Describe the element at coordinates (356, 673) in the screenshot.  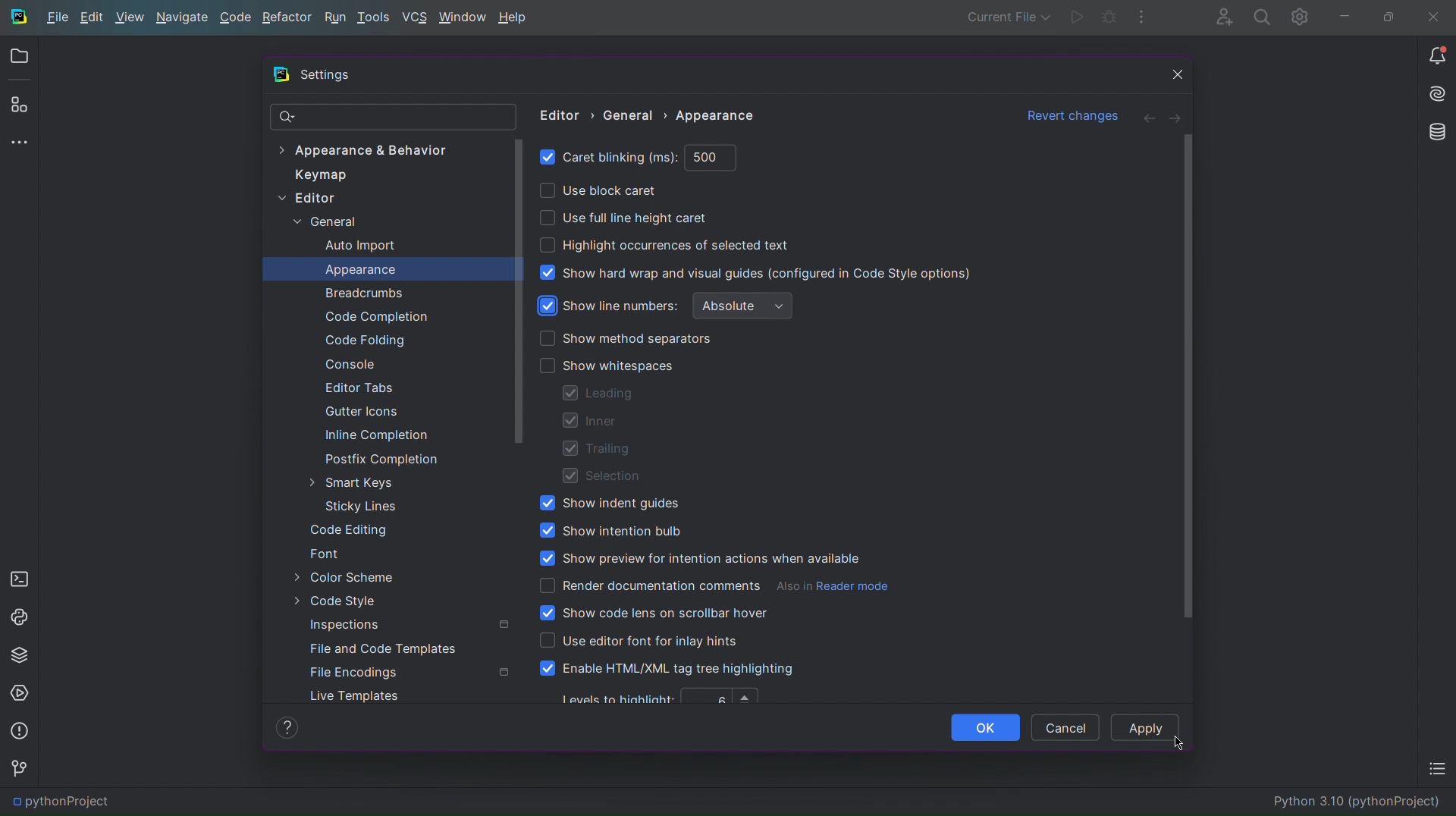
I see `File Encodings` at that location.